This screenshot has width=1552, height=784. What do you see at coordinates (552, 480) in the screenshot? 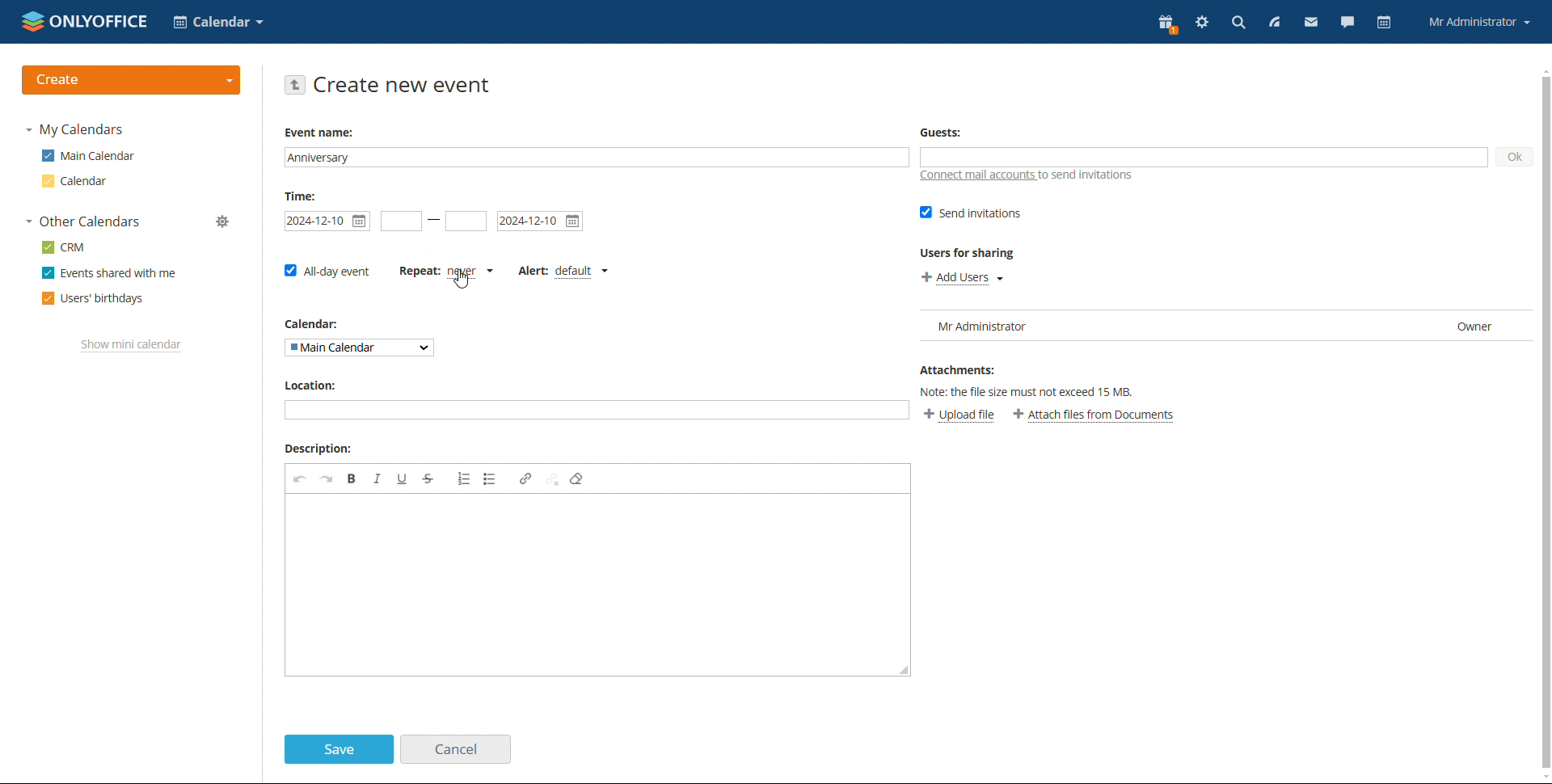
I see `unlink` at bounding box center [552, 480].